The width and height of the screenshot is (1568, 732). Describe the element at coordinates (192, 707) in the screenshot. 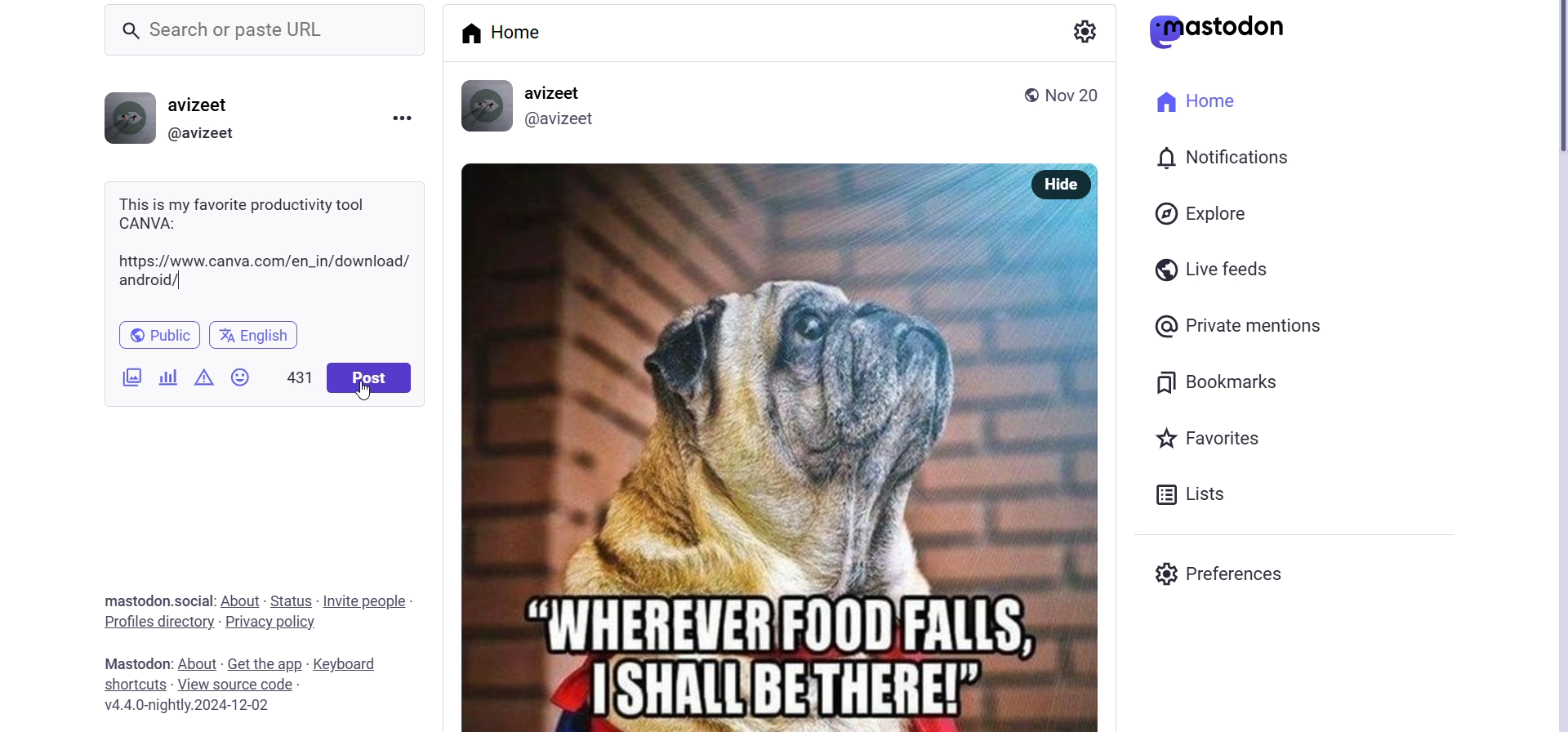

I see `v4.4.0-nightly.2024-12-02` at that location.